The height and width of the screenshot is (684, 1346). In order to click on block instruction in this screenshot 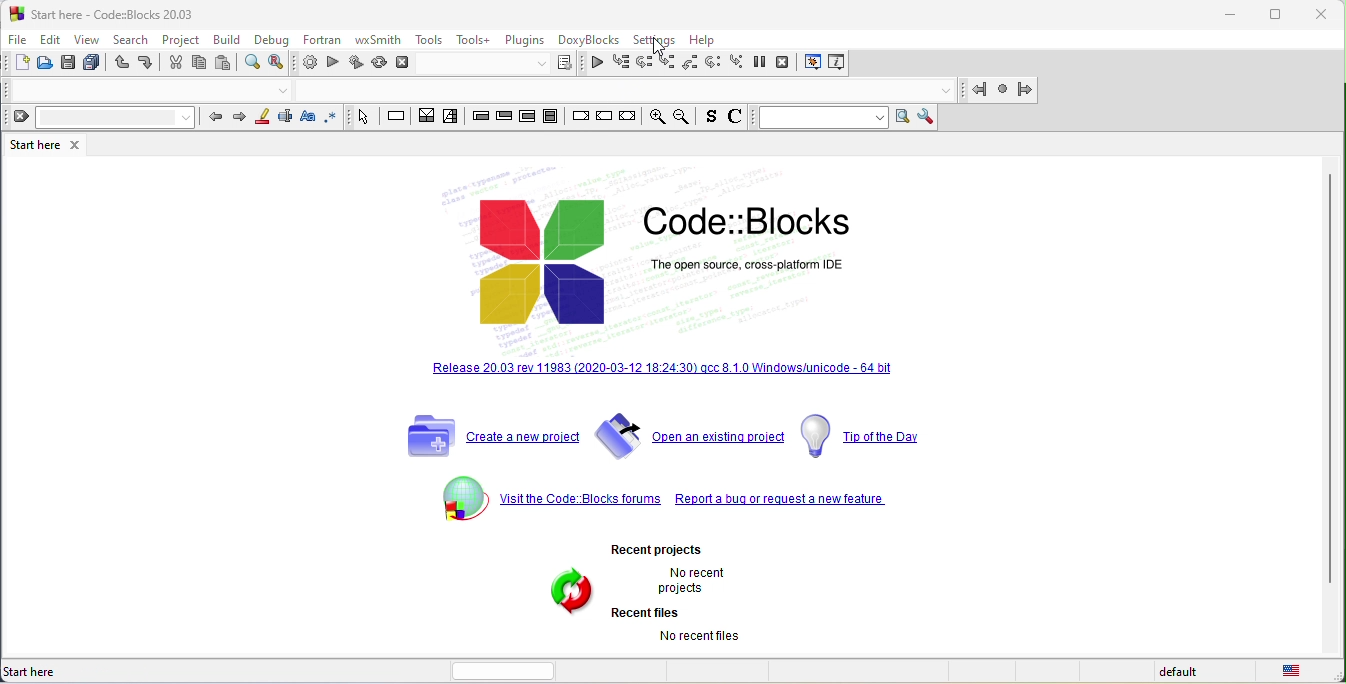, I will do `click(555, 117)`.